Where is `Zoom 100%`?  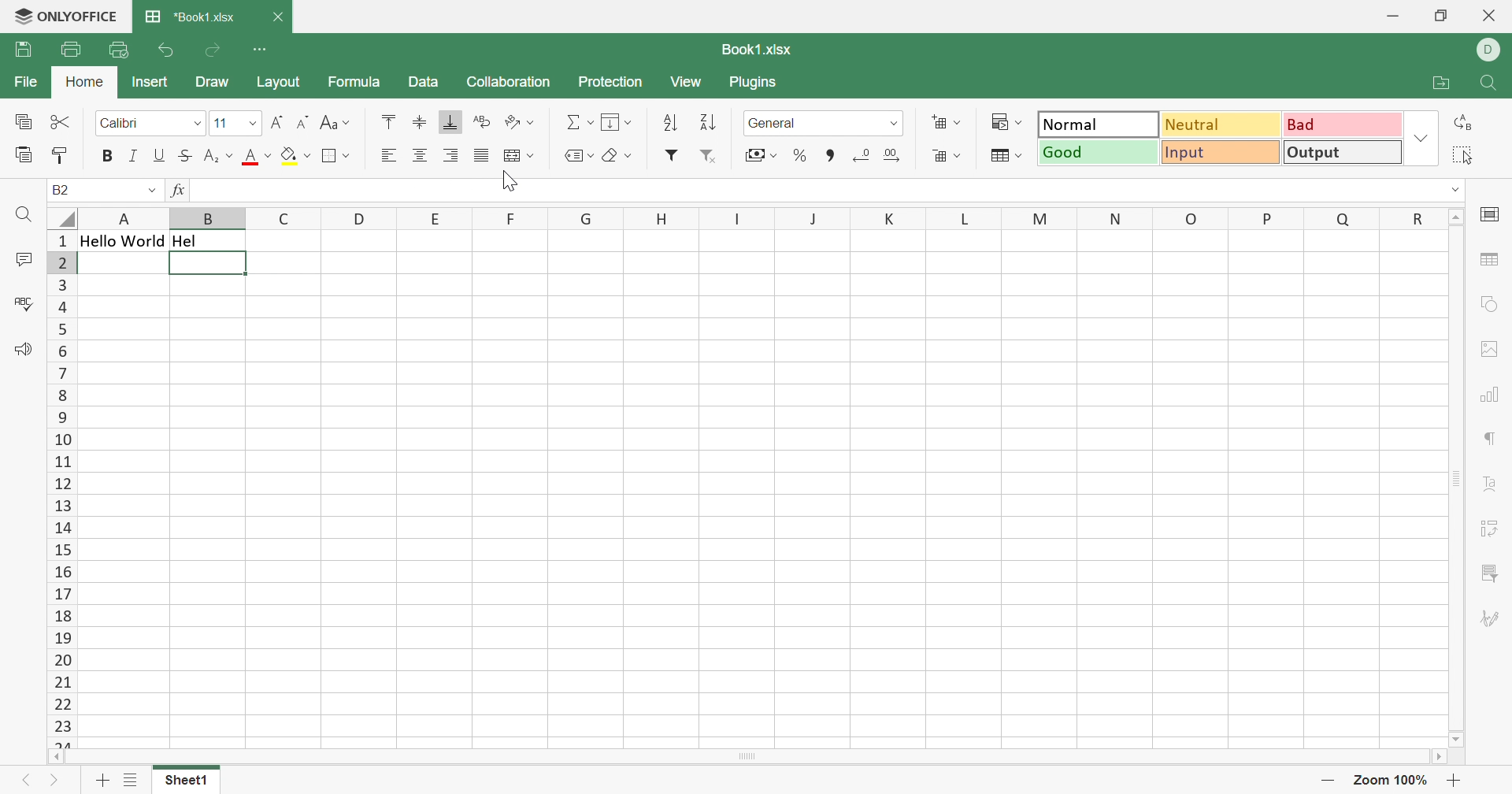 Zoom 100% is located at coordinates (1392, 780).